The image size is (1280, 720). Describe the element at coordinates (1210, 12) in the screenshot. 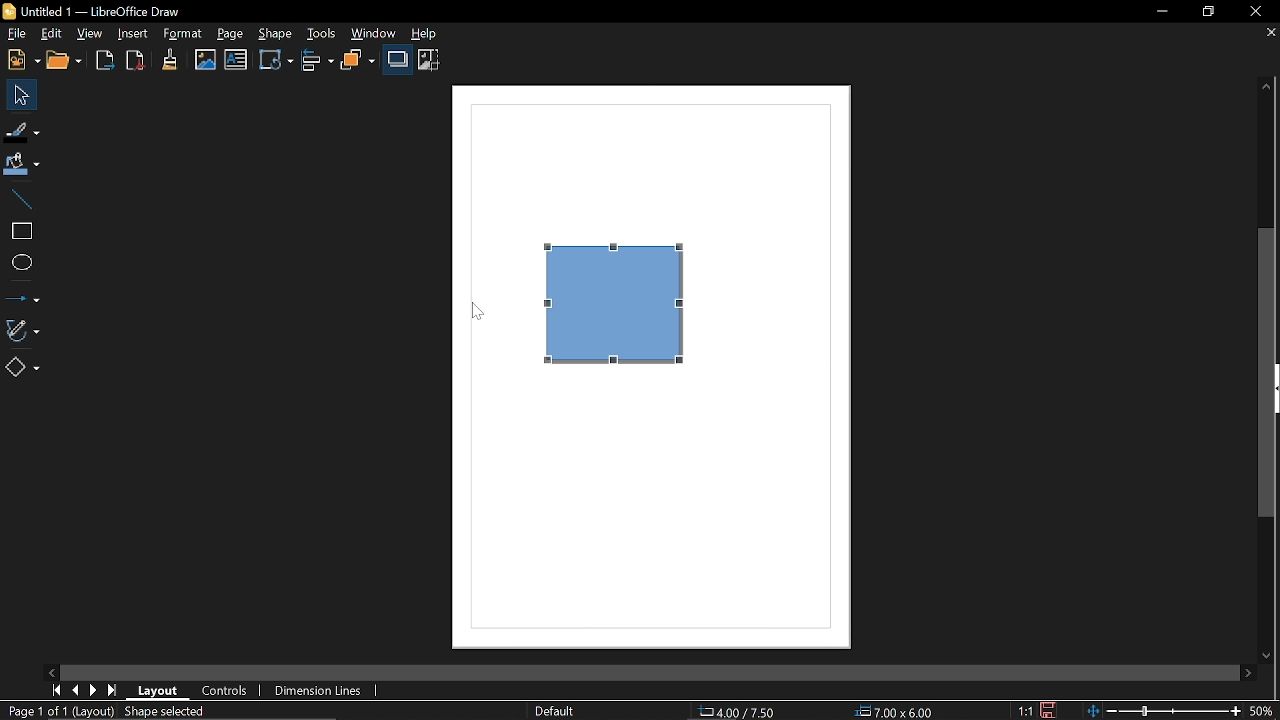

I see `Restore down` at that location.